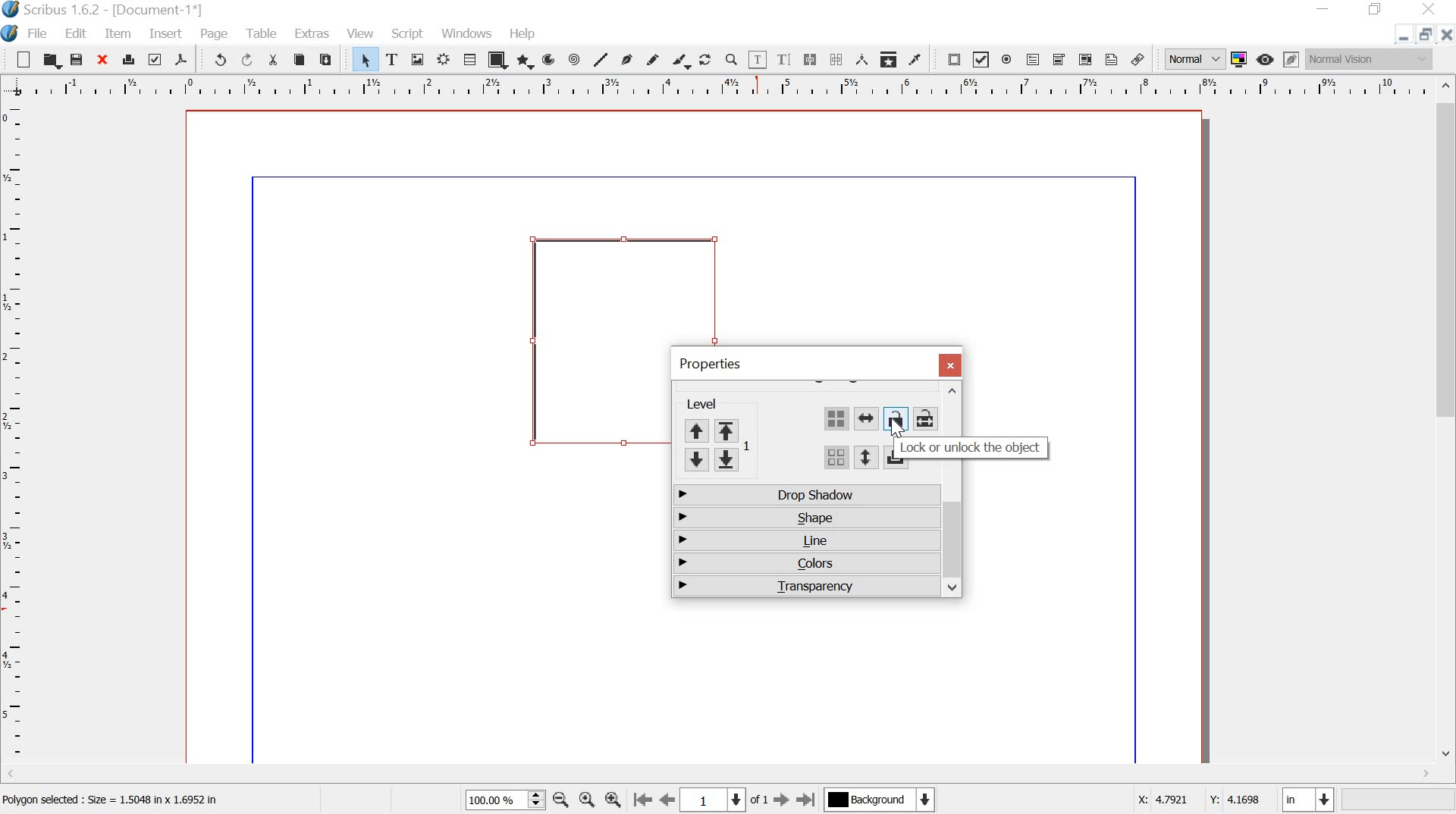 The image size is (1456, 814). I want to click on help, so click(525, 35).